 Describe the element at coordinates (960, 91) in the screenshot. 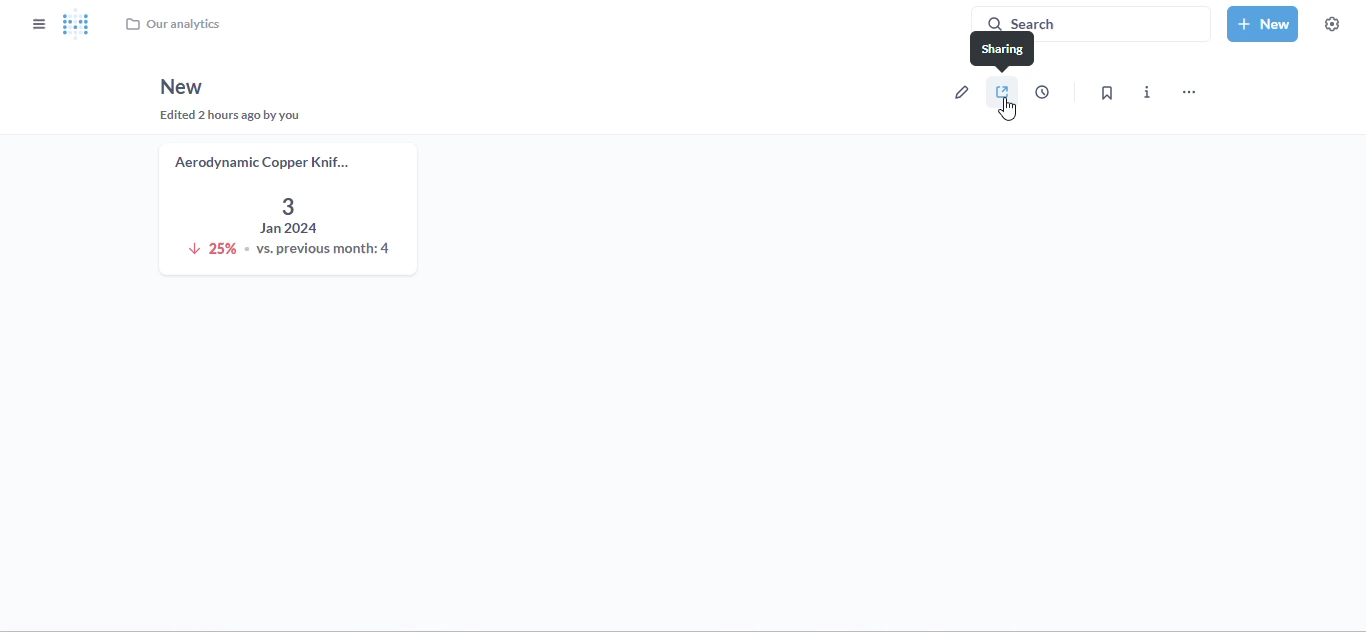

I see `edit dashboard` at that location.